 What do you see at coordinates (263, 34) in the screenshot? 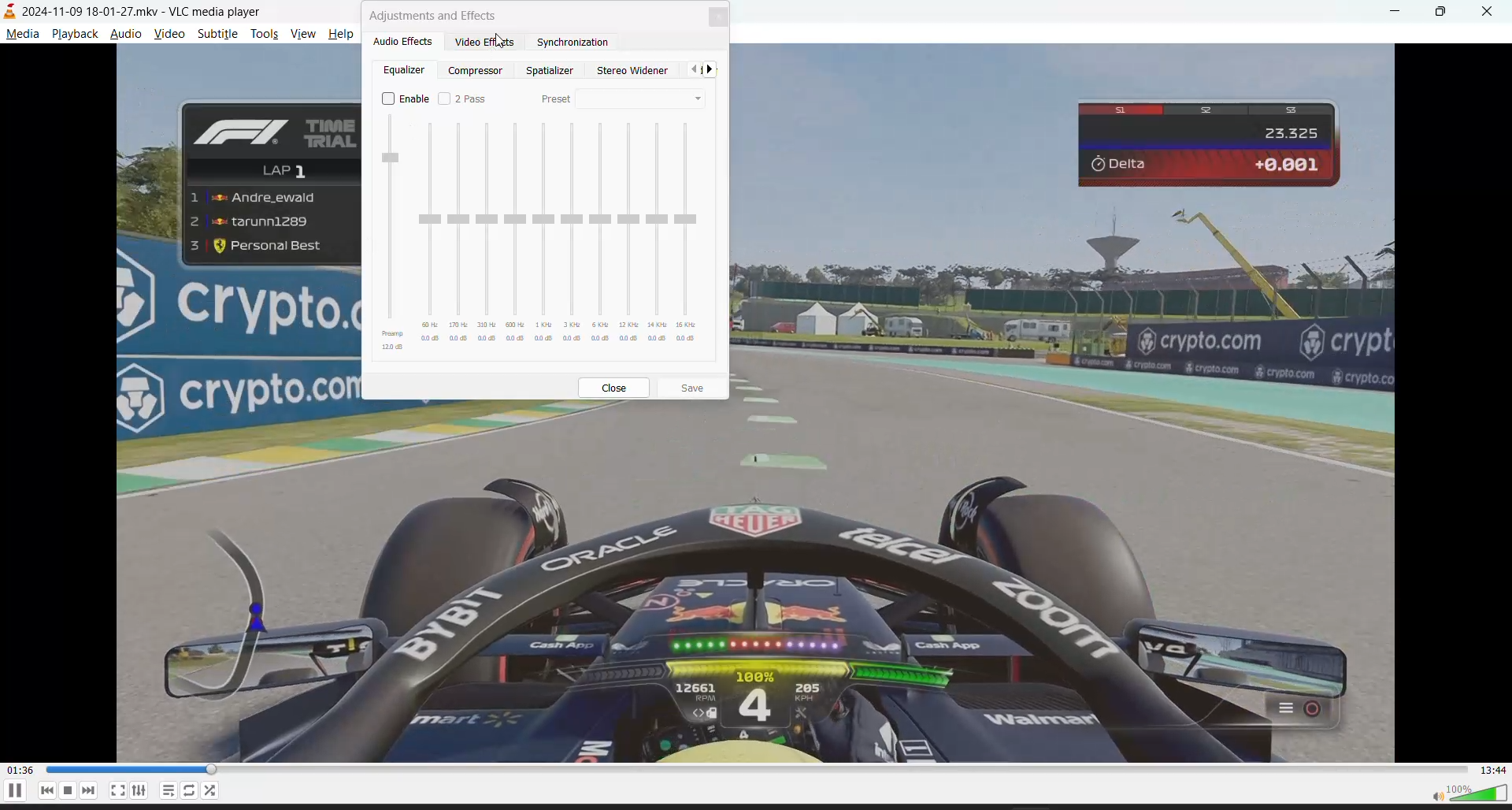
I see `tools` at bounding box center [263, 34].